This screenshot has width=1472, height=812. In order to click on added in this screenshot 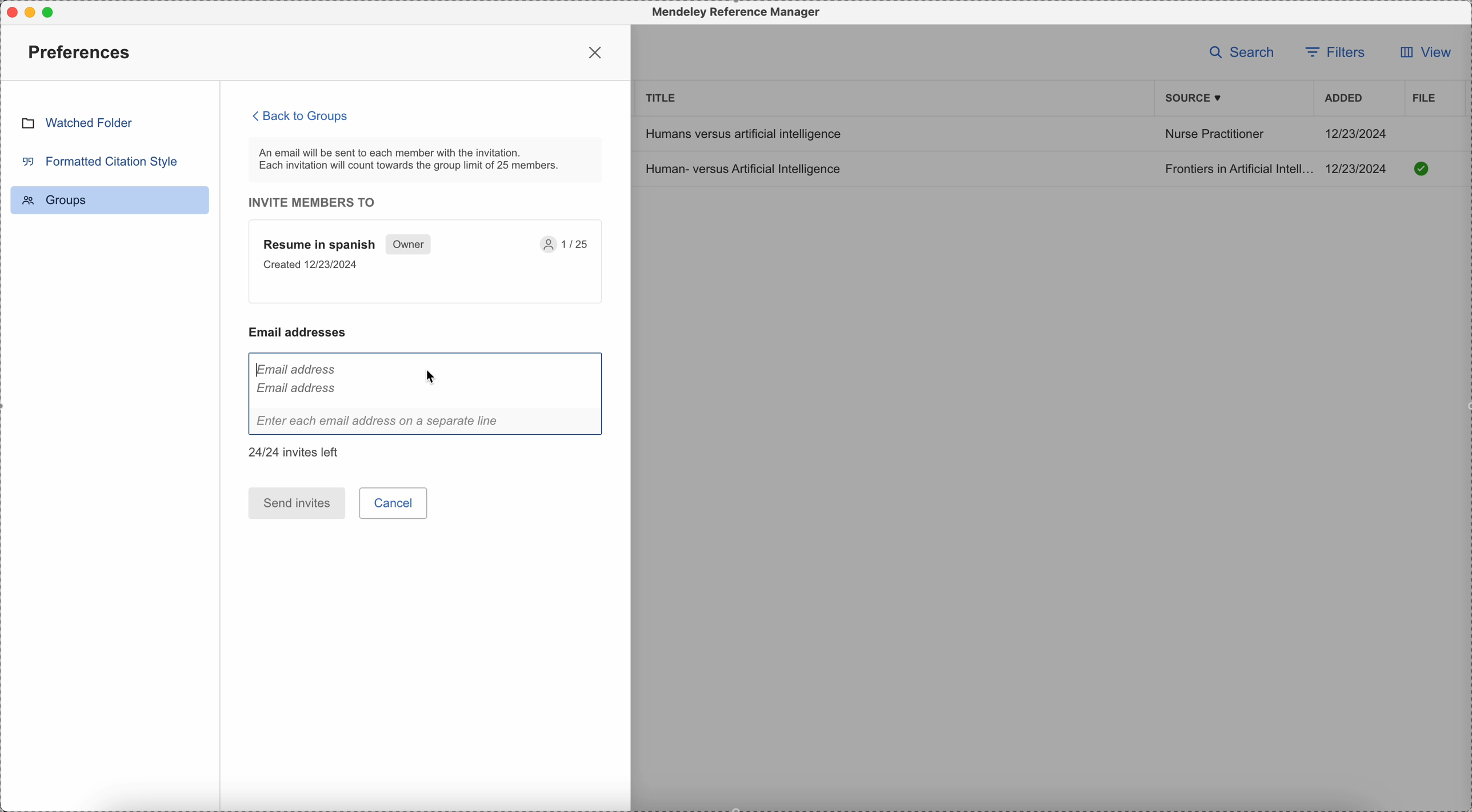, I will do `click(1344, 99)`.